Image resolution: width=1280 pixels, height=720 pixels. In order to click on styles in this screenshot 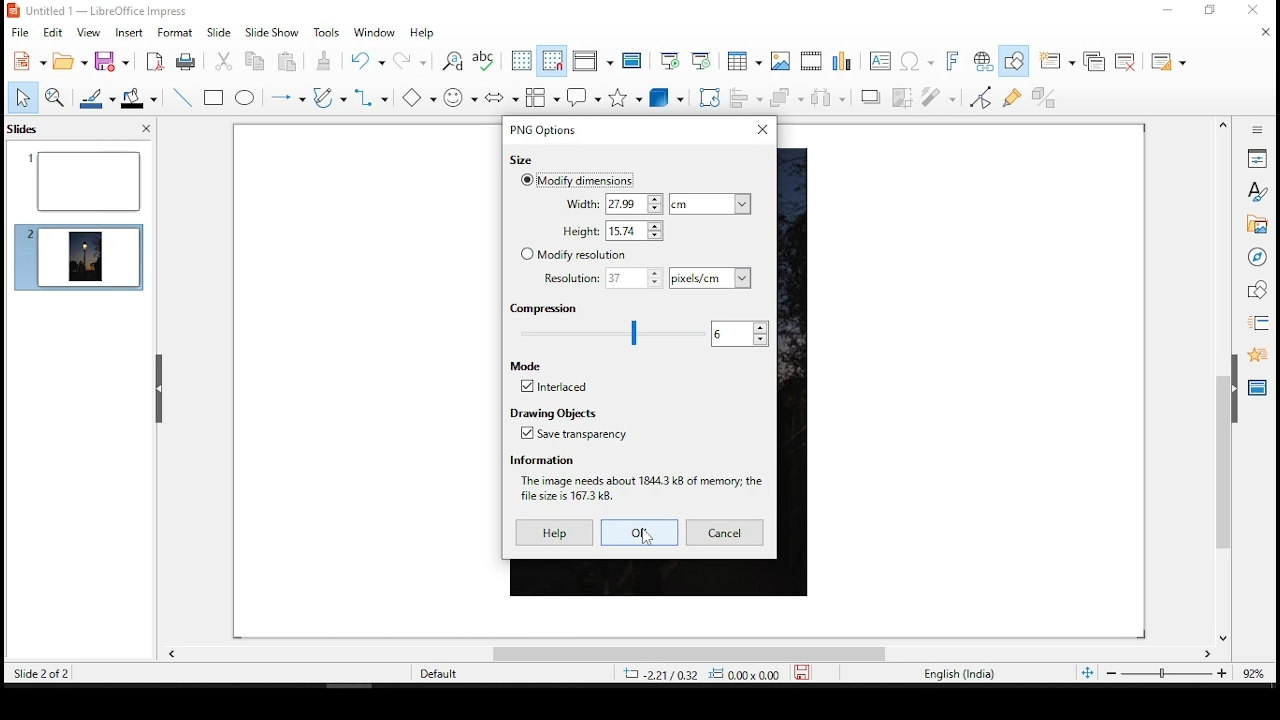, I will do `click(1255, 192)`.